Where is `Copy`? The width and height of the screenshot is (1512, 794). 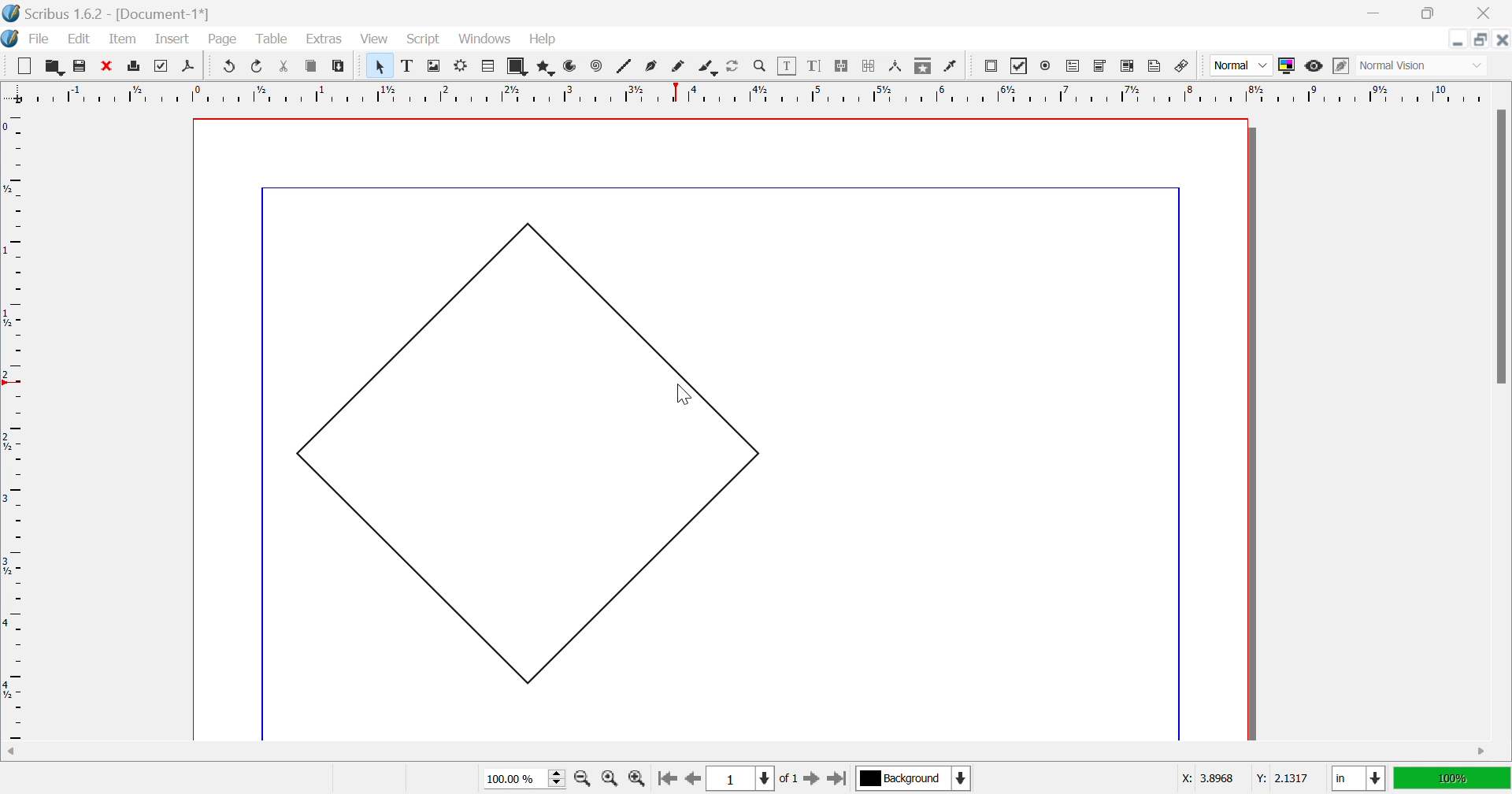 Copy is located at coordinates (311, 65).